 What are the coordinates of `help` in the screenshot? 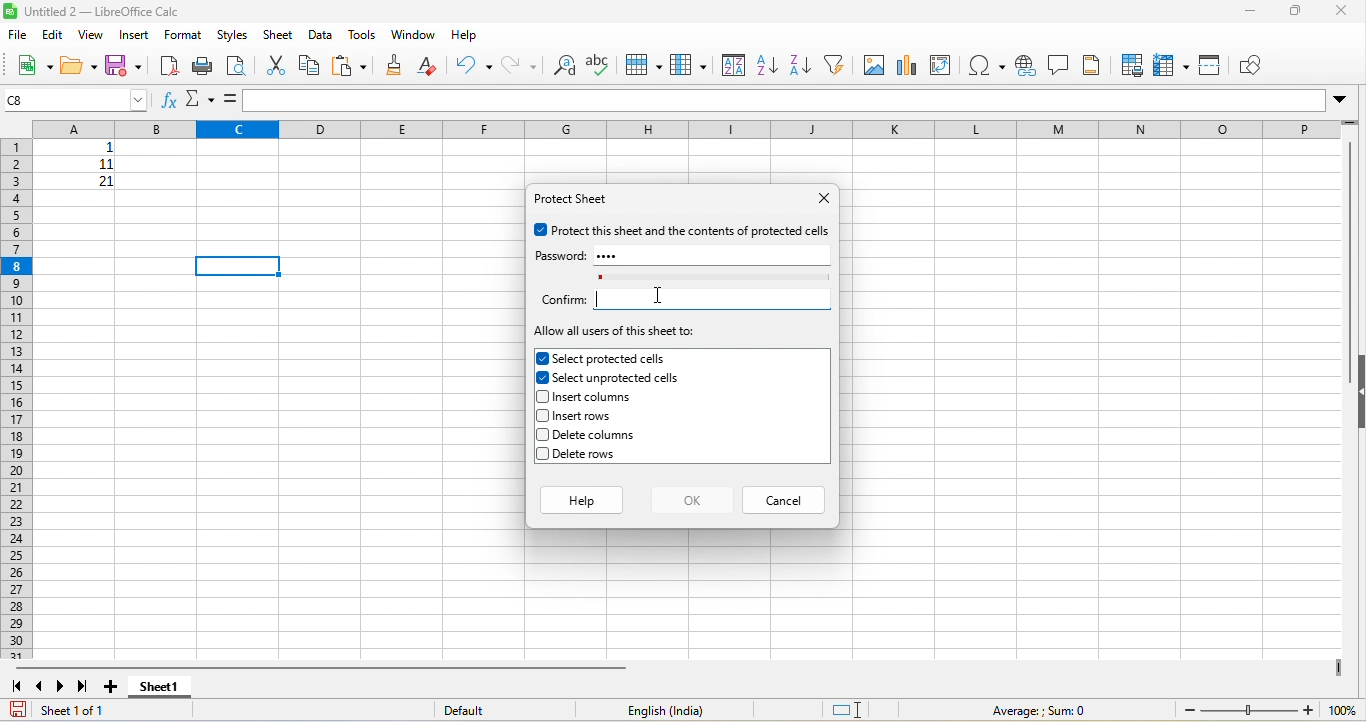 It's located at (471, 35).